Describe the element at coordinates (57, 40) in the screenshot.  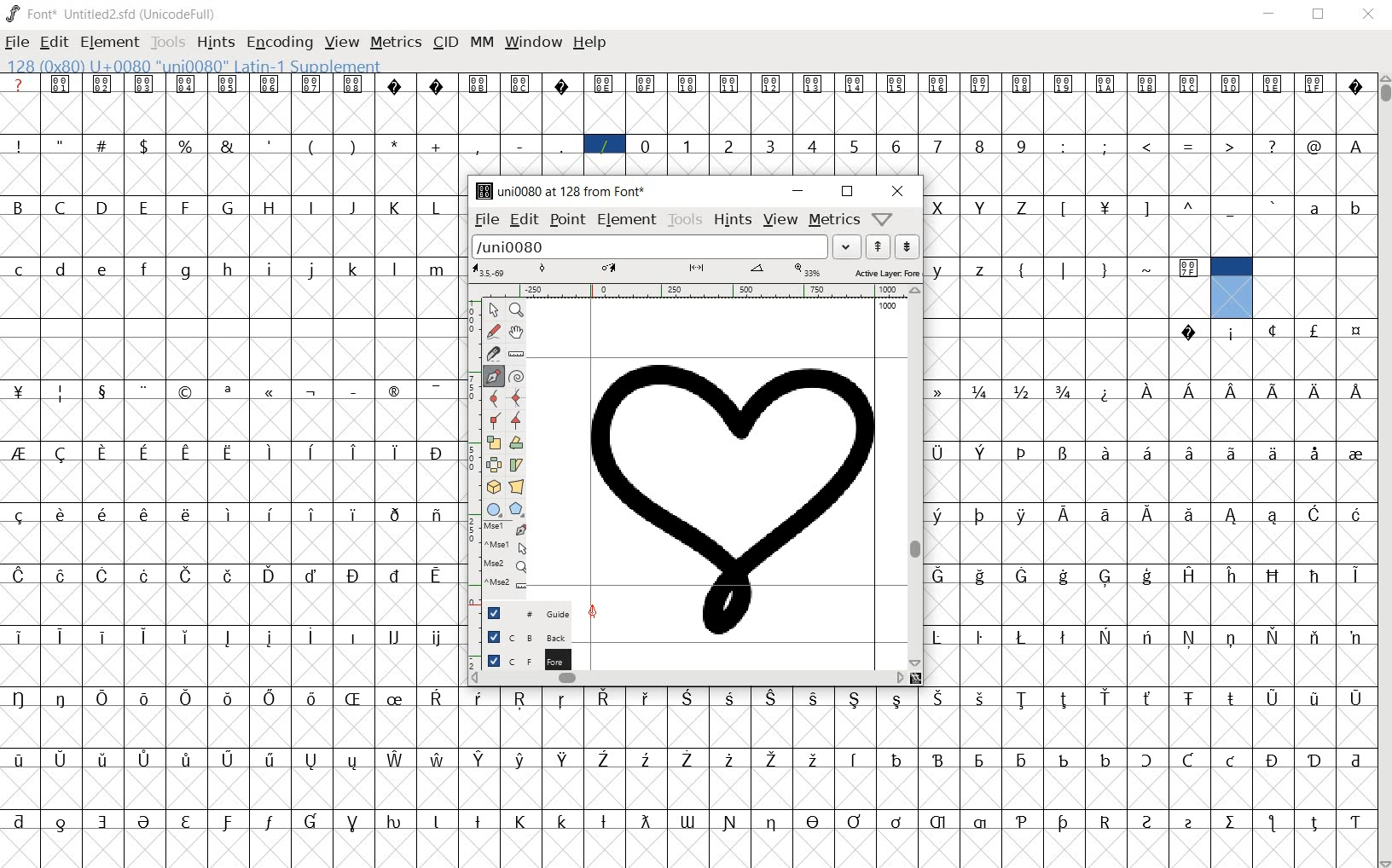
I see `EDIT` at that location.